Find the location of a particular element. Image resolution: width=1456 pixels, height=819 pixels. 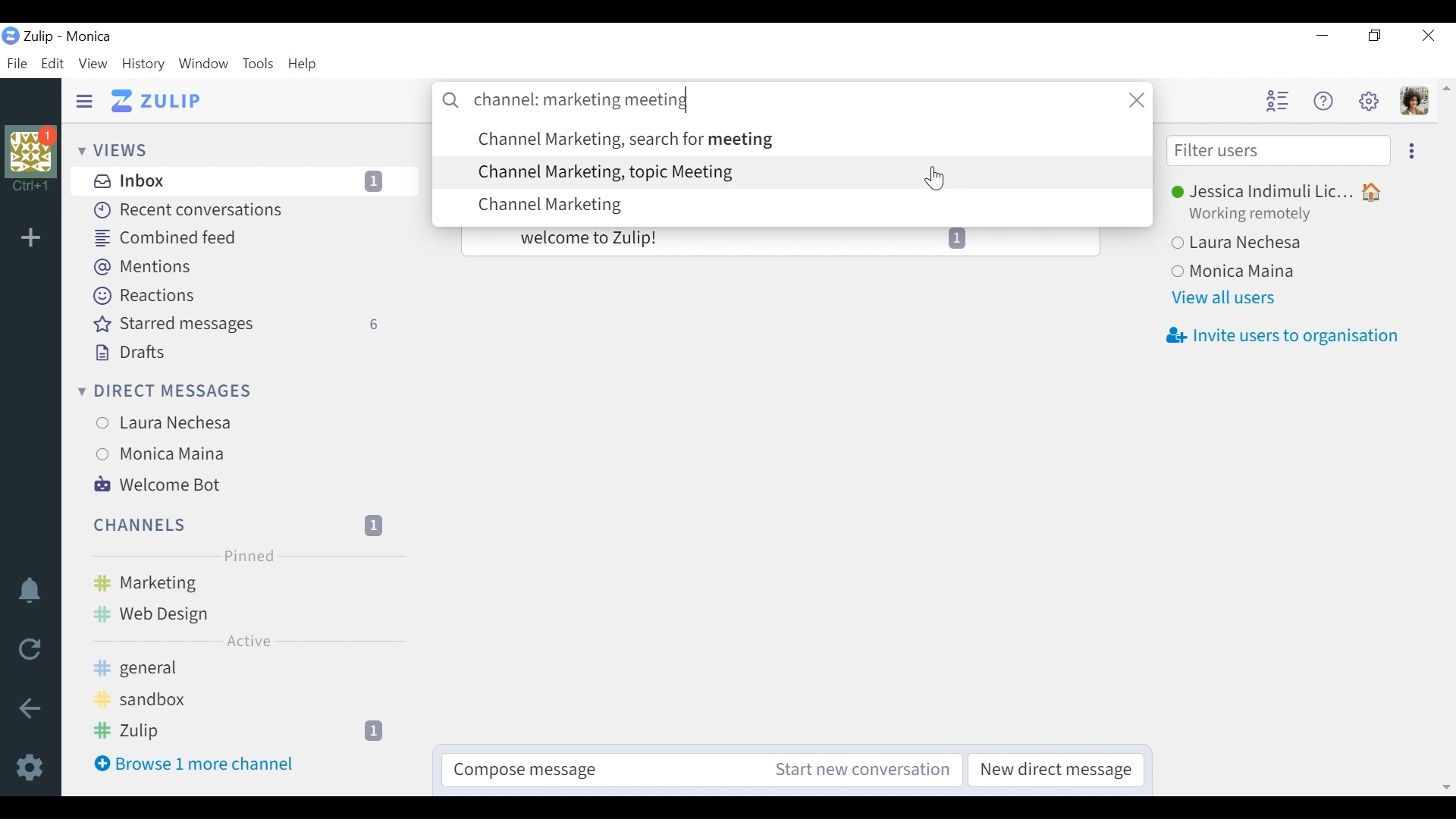

File is located at coordinates (17, 64).